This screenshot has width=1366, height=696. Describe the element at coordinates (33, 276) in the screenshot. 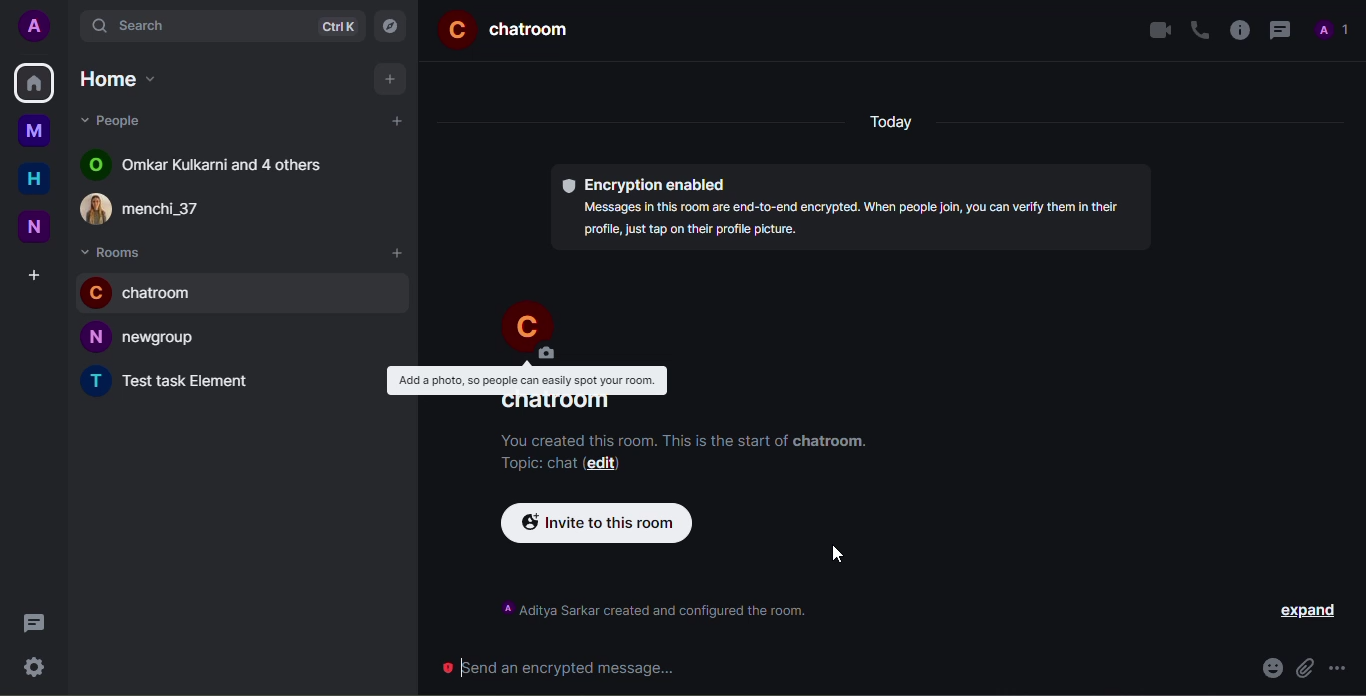

I see `create space` at that location.